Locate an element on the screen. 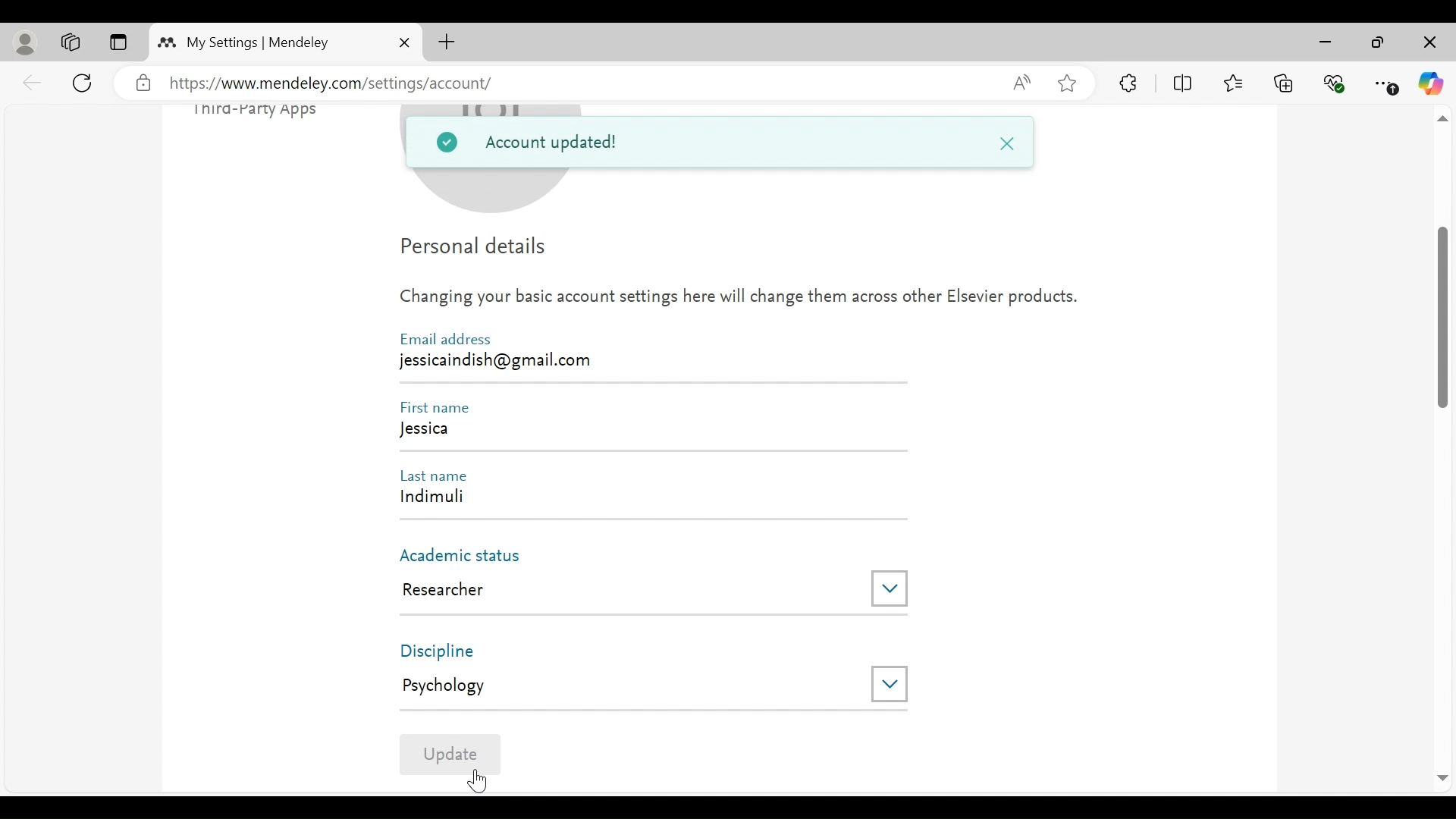  Split Screen is located at coordinates (1185, 83).